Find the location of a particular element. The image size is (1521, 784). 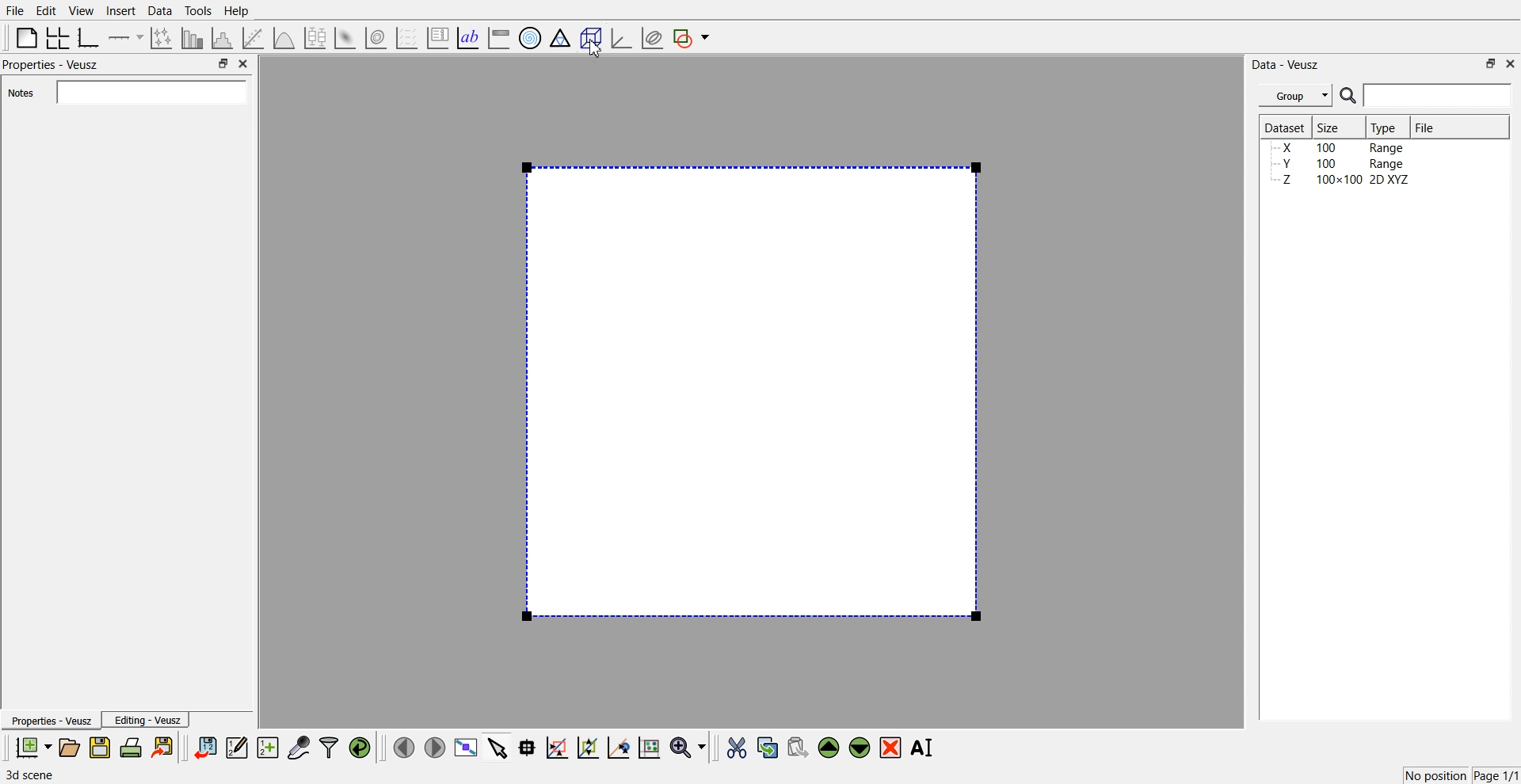

Text label is located at coordinates (468, 38).